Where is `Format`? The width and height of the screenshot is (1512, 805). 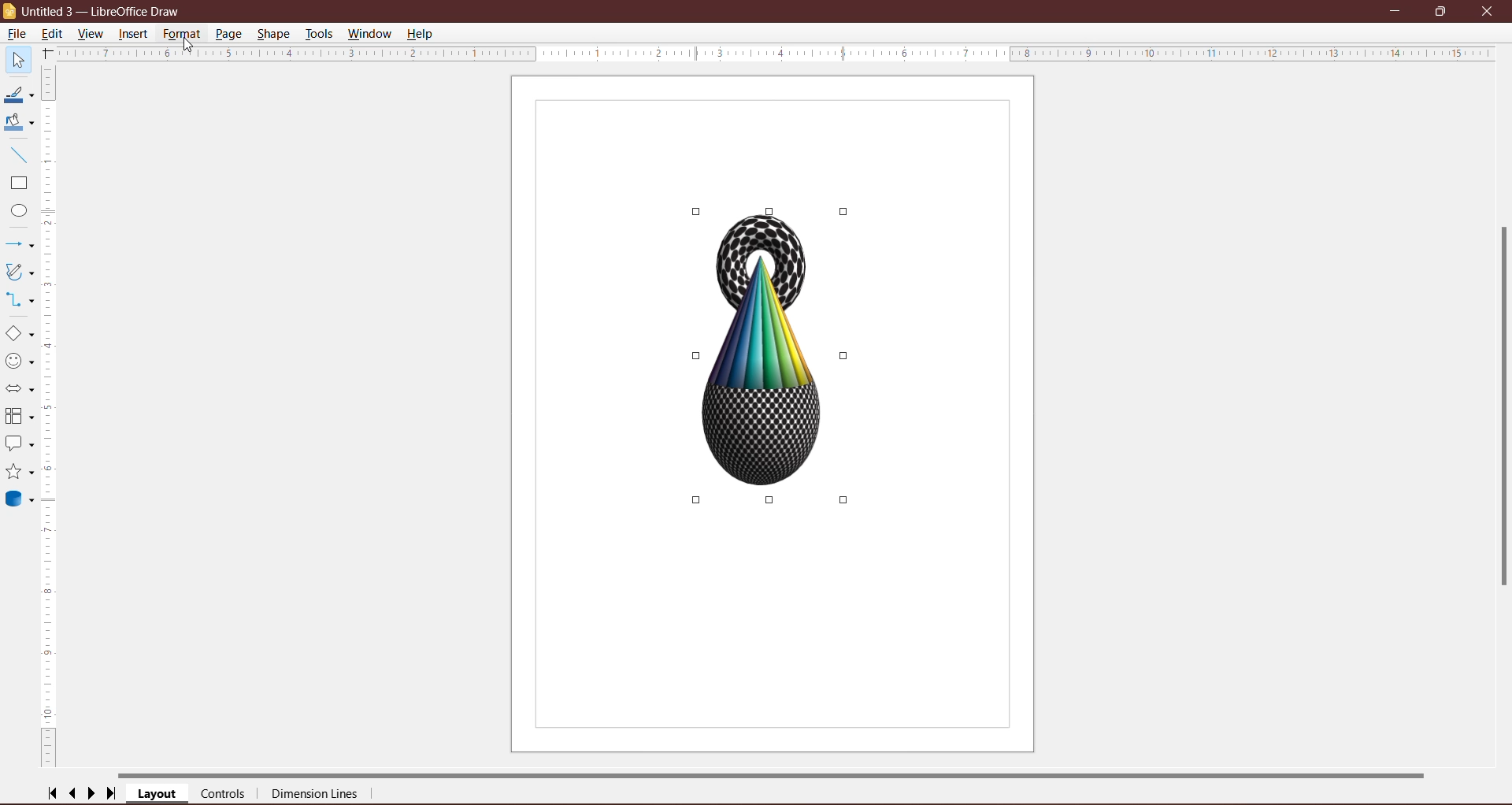 Format is located at coordinates (181, 35).